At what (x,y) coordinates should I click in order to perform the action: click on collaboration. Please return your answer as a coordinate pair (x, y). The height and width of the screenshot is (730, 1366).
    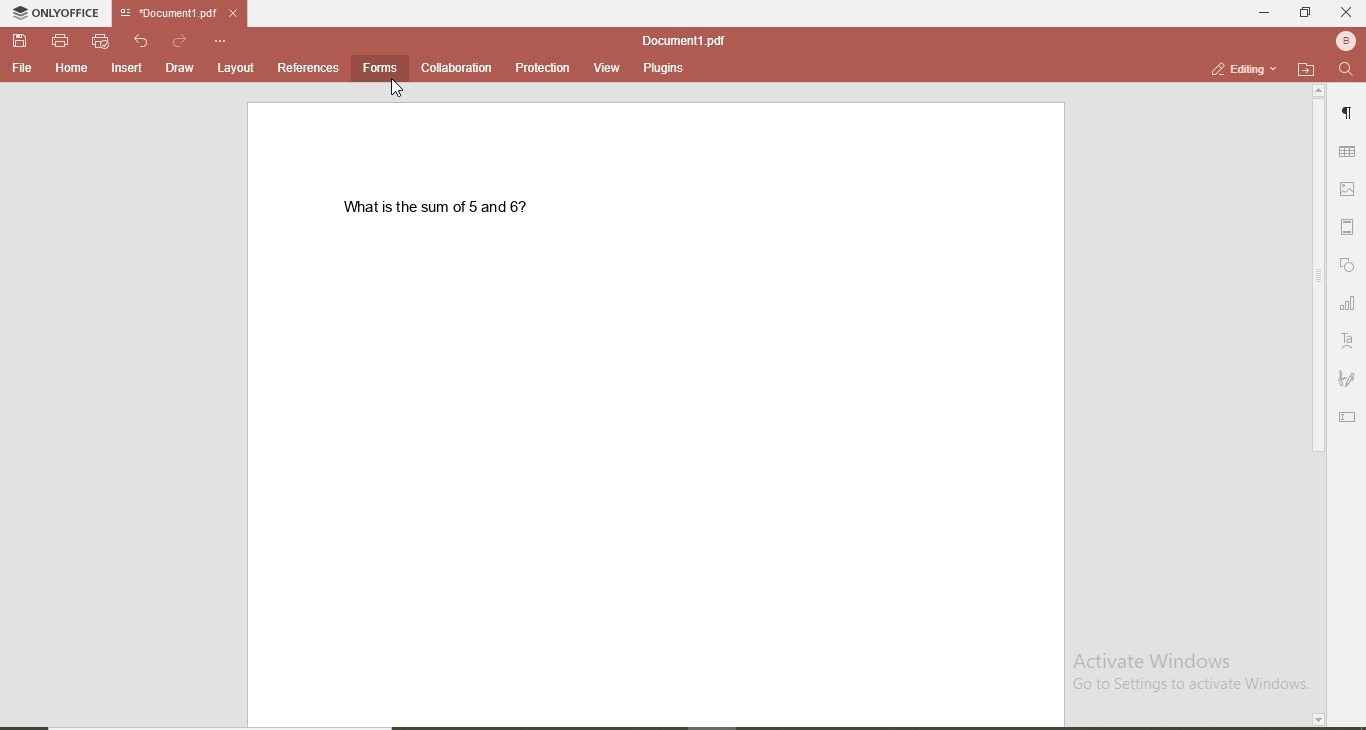
    Looking at the image, I should click on (458, 67).